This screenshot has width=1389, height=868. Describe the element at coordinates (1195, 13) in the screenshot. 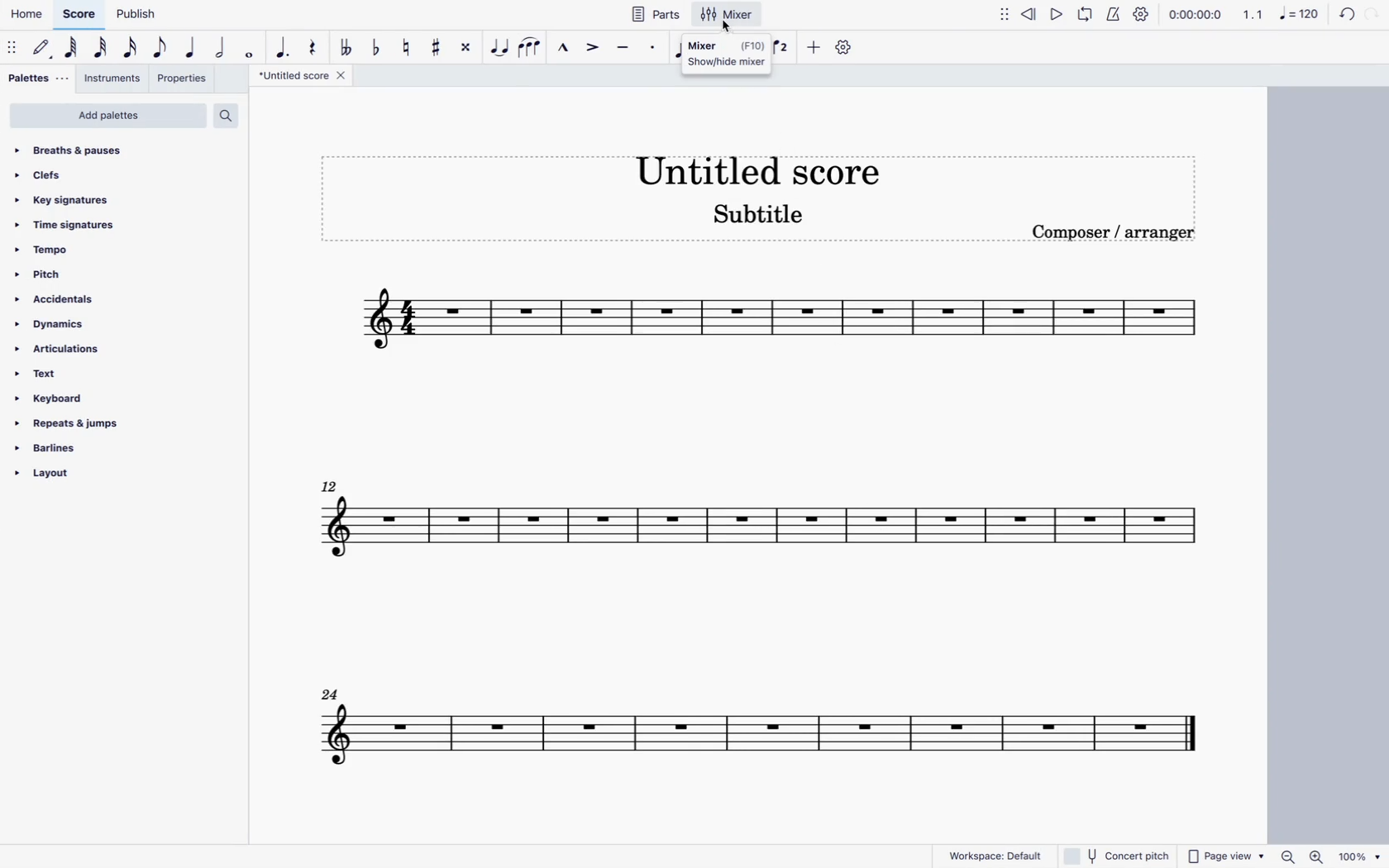

I see `time` at that location.